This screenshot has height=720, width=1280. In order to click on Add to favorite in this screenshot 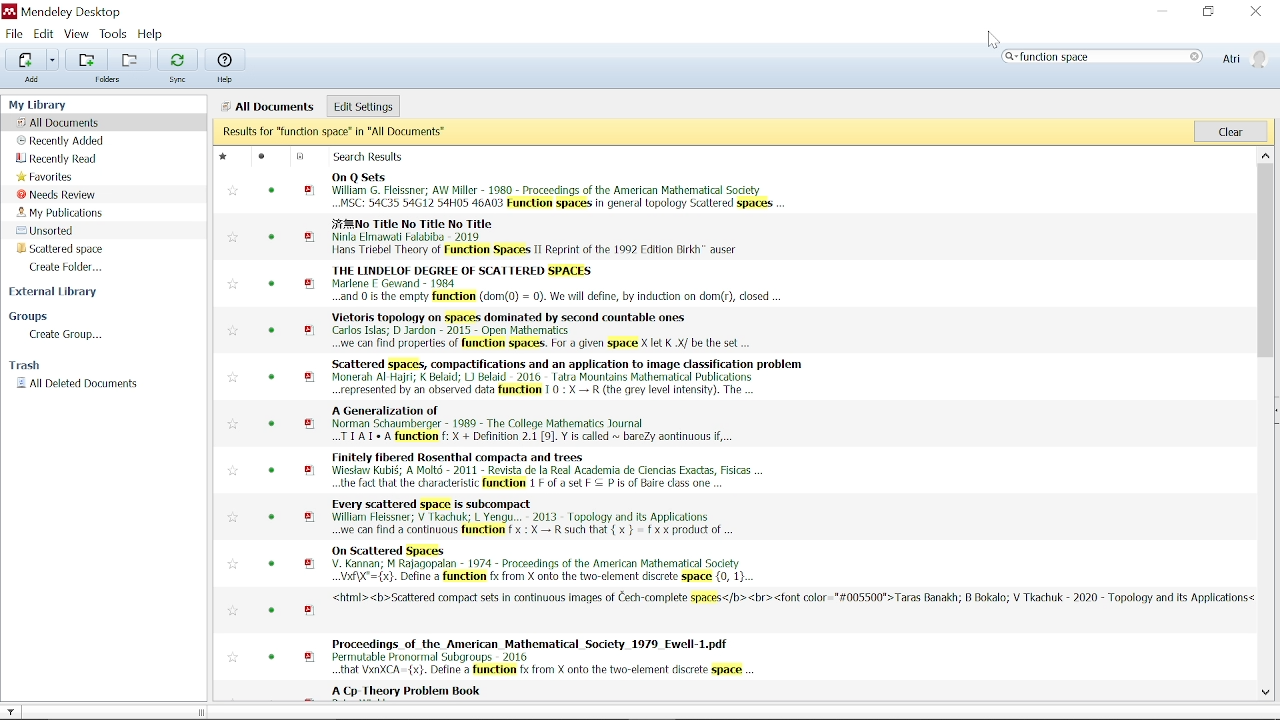, I will do `click(232, 470)`.